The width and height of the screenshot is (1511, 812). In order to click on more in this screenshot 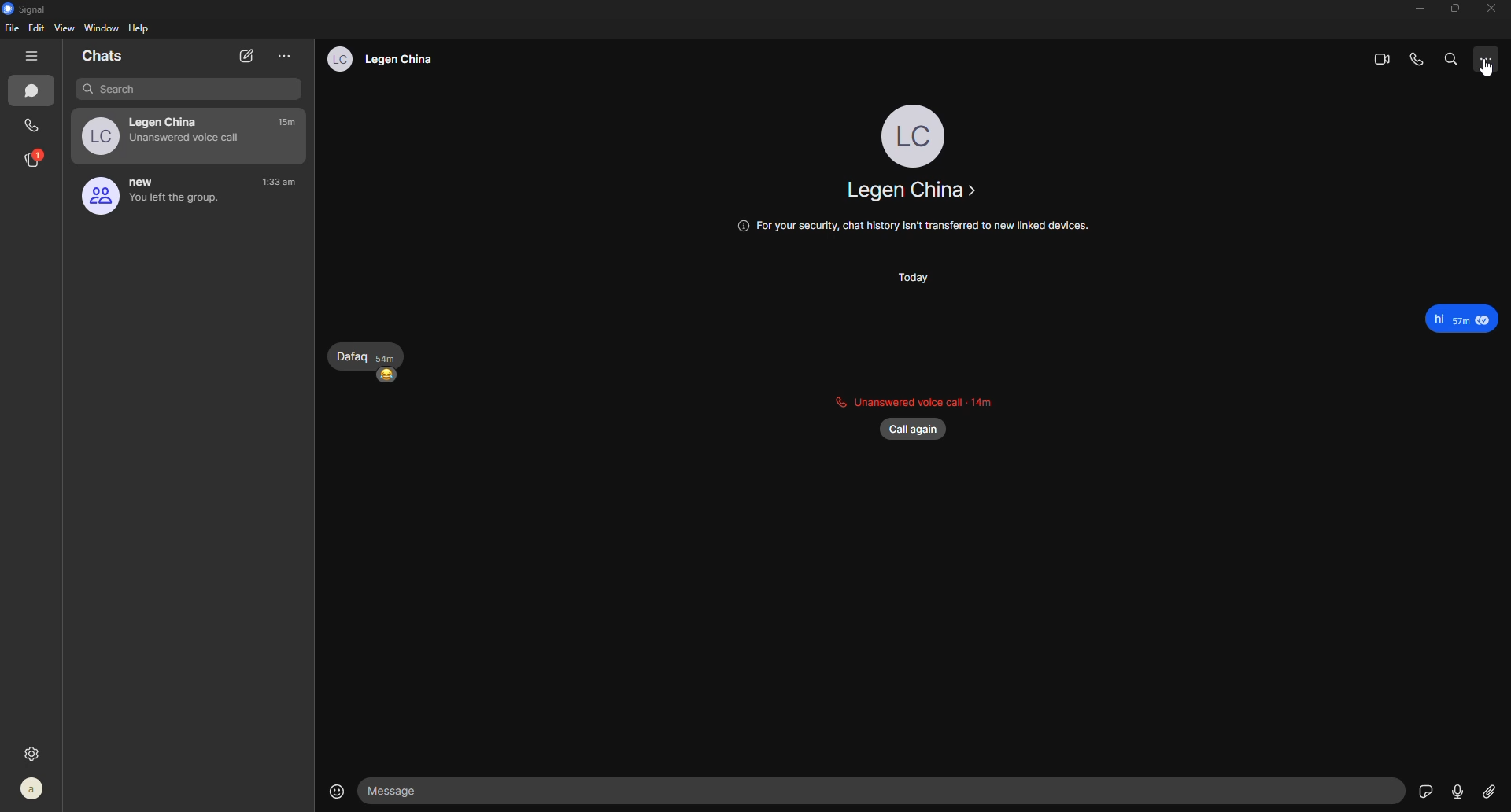, I will do `click(284, 56)`.